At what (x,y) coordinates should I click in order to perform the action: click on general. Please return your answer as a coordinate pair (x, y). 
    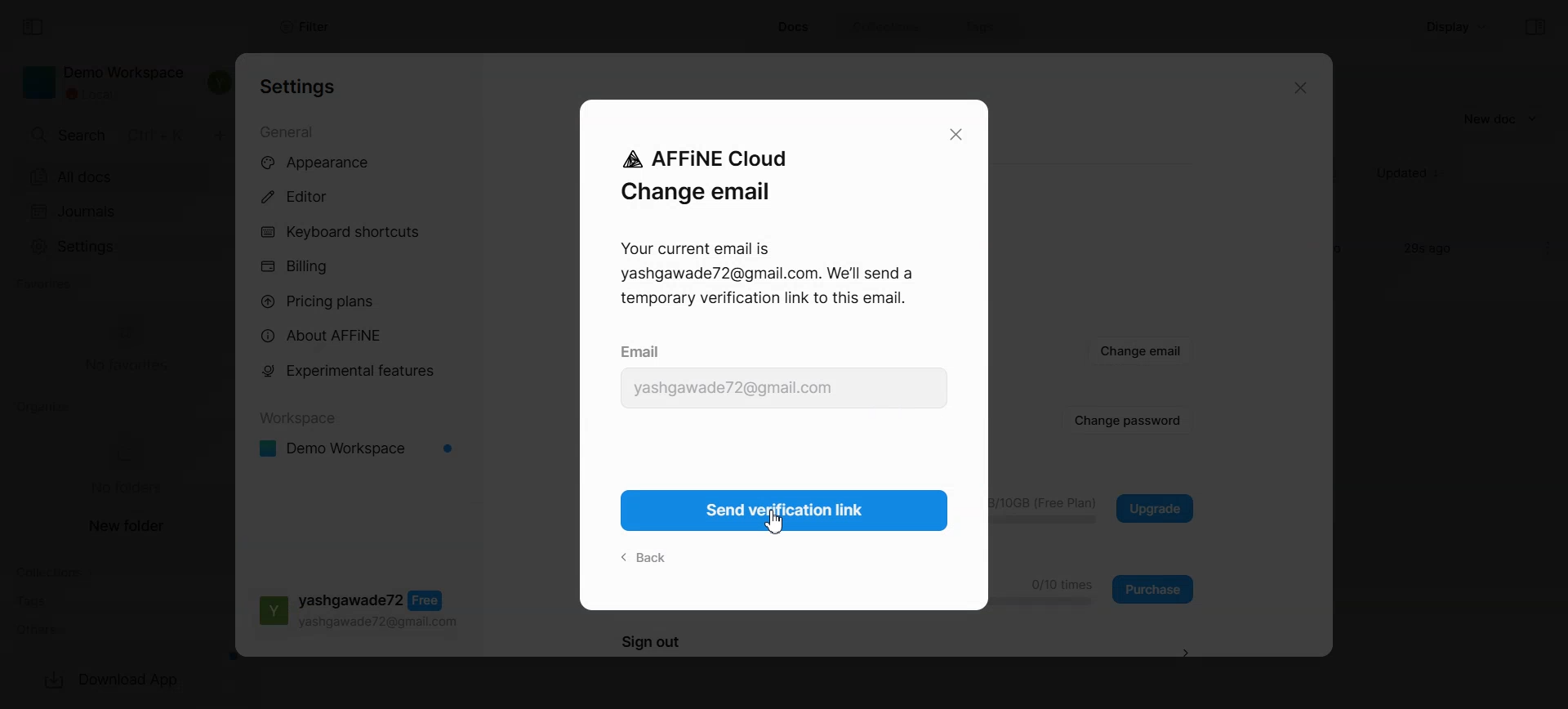
    Looking at the image, I should click on (289, 132).